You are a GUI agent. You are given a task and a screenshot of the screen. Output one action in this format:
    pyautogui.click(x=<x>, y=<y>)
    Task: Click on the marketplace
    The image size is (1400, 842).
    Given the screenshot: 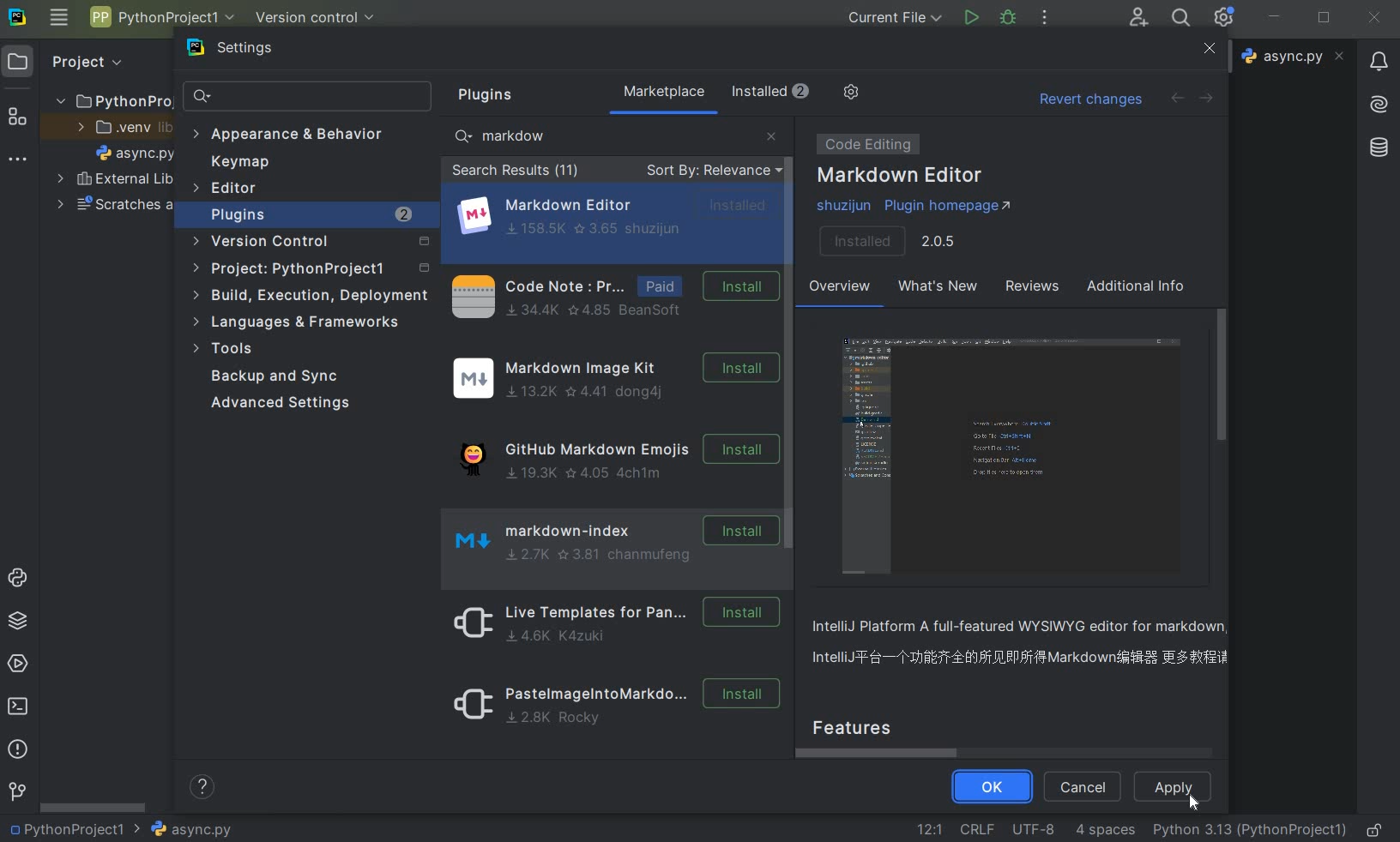 What is the action you would take?
    pyautogui.click(x=665, y=92)
    